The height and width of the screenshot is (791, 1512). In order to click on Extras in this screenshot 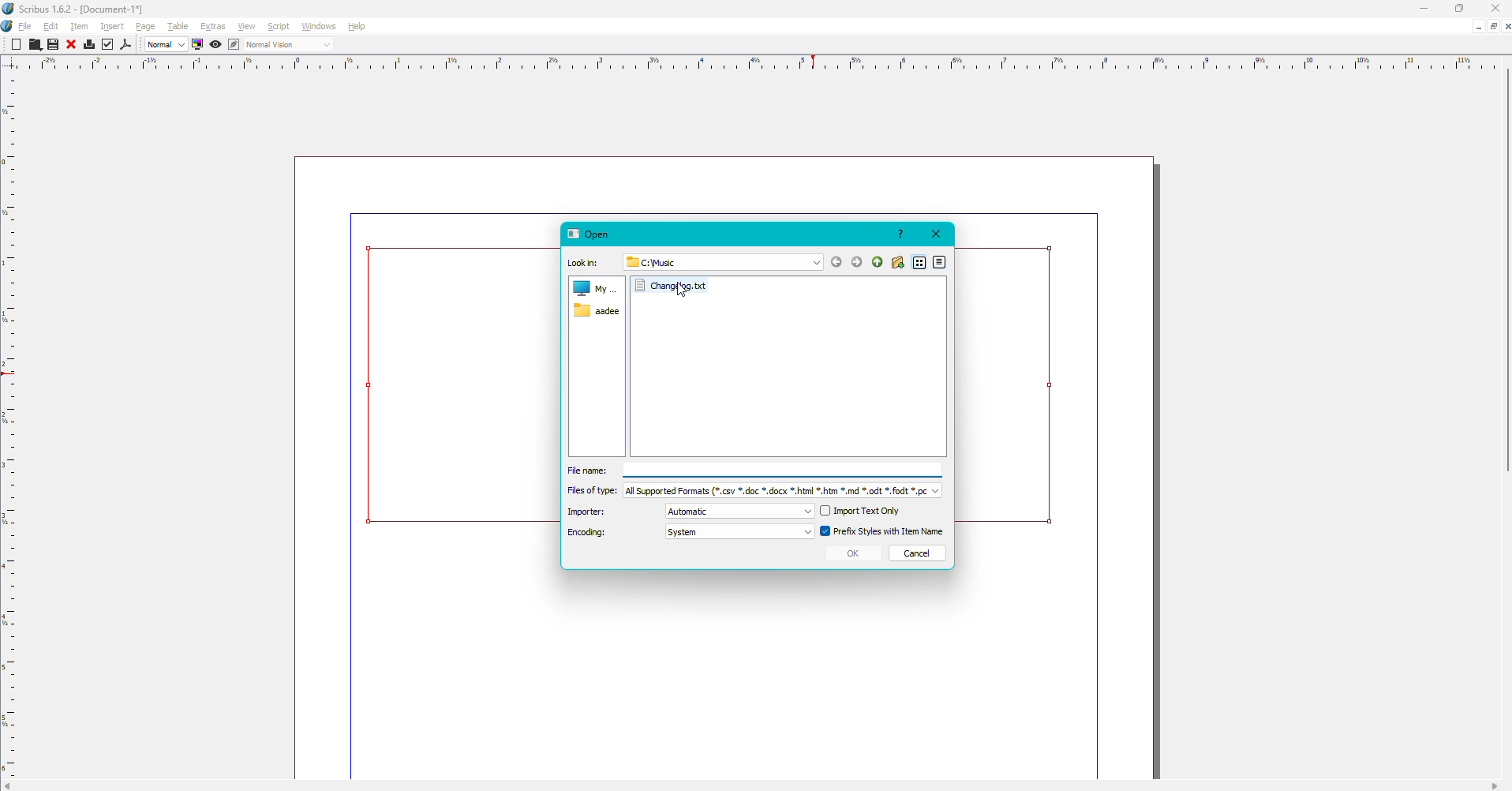, I will do `click(212, 27)`.